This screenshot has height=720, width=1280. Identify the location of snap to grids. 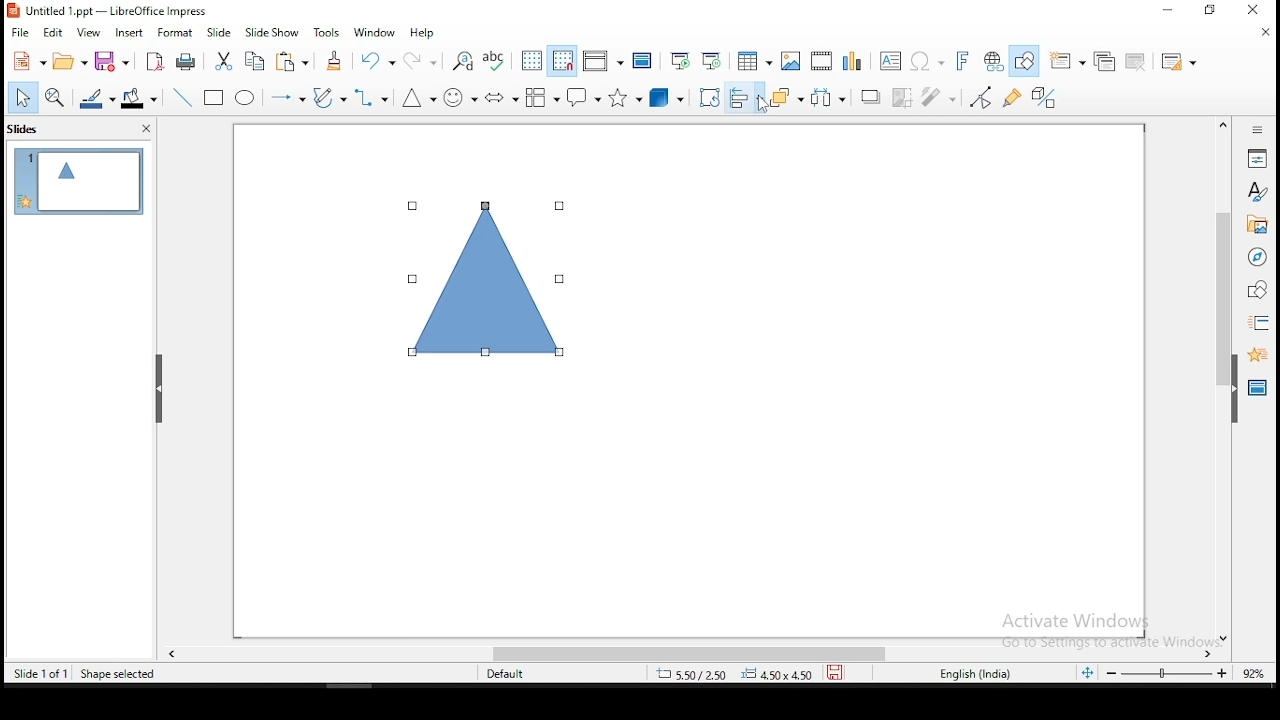
(563, 59).